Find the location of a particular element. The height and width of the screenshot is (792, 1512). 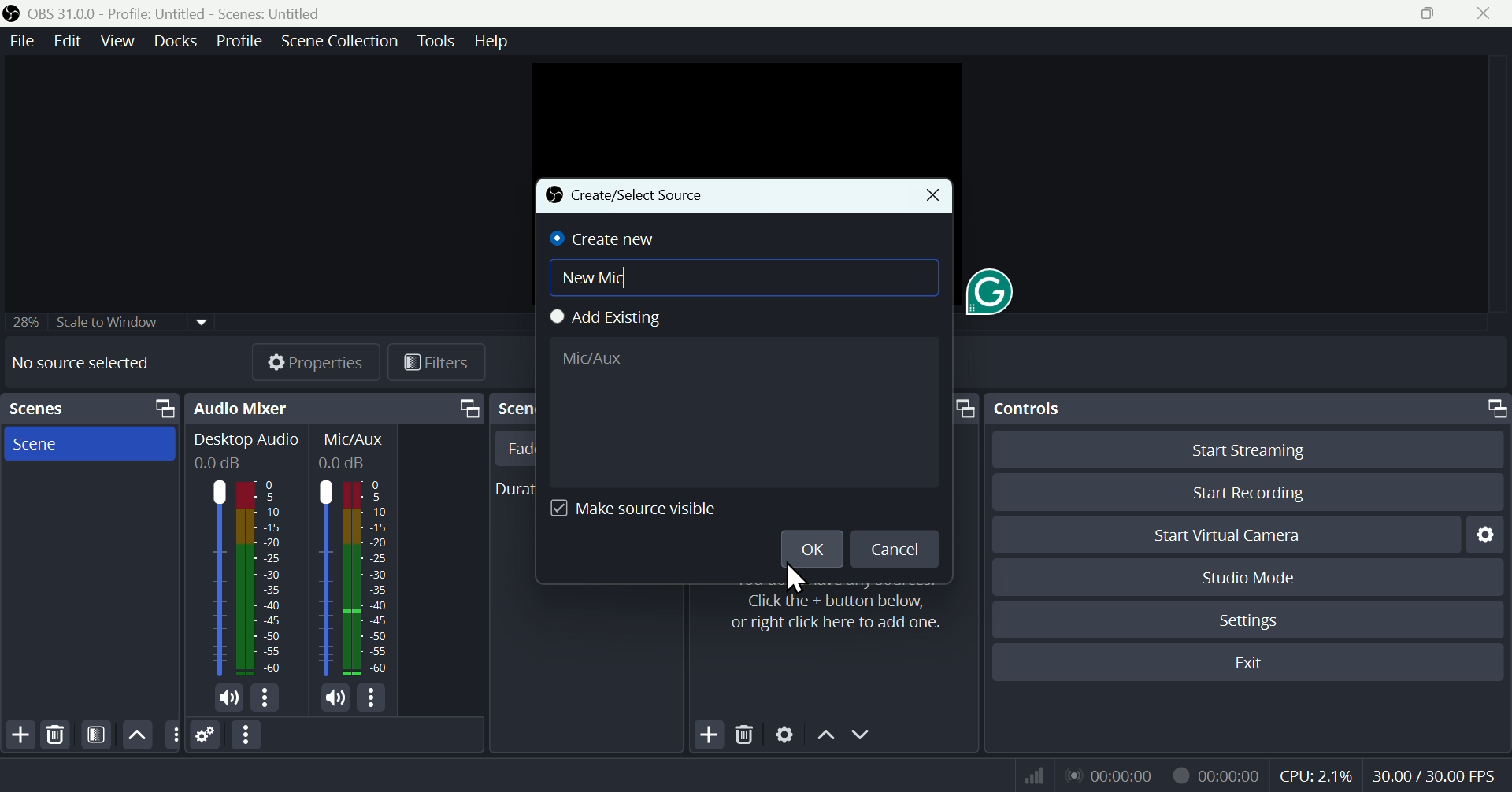

View is located at coordinates (120, 41).